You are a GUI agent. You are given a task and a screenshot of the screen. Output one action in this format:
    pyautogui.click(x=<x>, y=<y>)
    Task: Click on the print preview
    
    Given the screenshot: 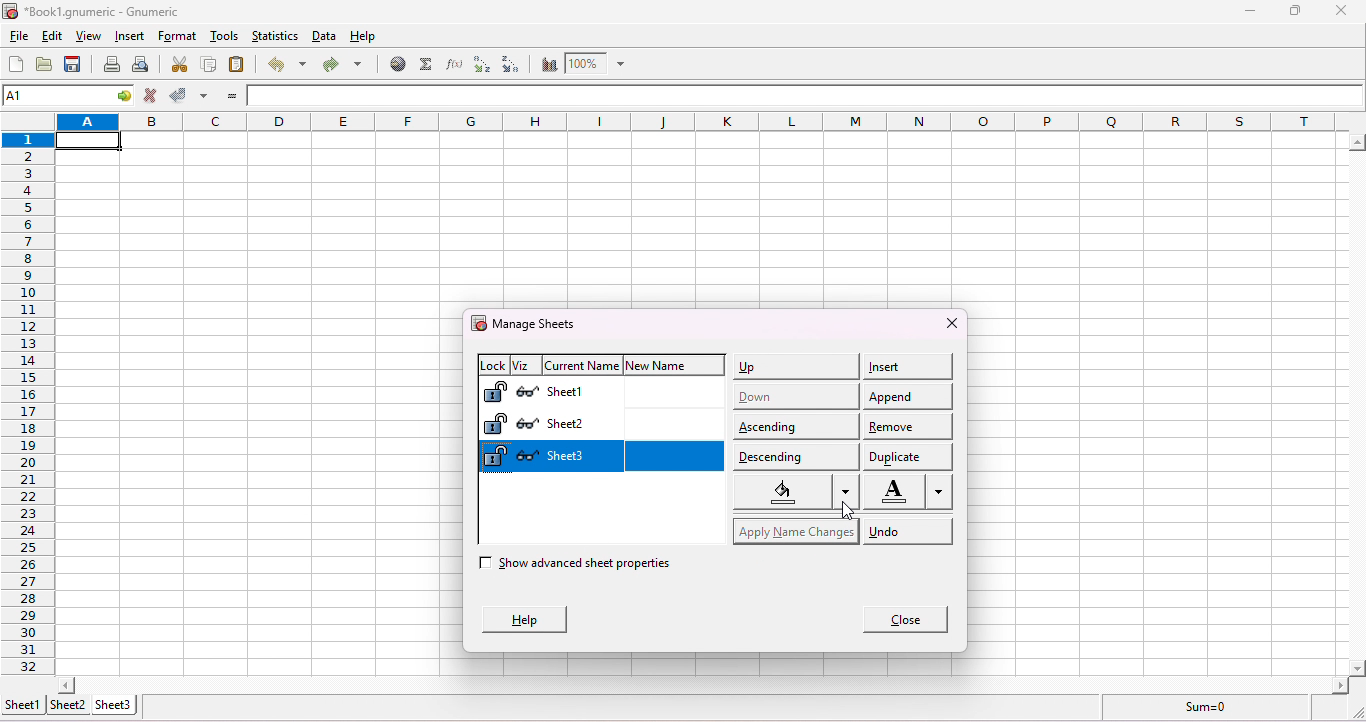 What is the action you would take?
    pyautogui.click(x=148, y=65)
    